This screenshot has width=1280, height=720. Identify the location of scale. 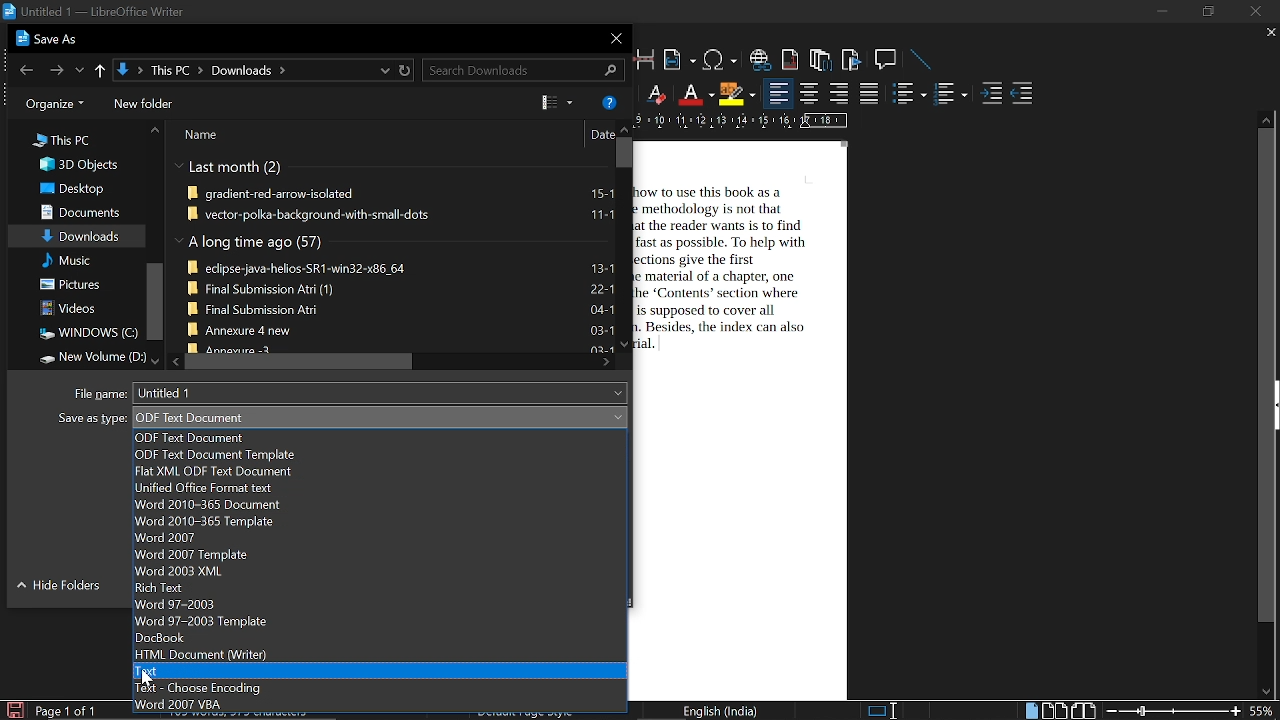
(742, 120).